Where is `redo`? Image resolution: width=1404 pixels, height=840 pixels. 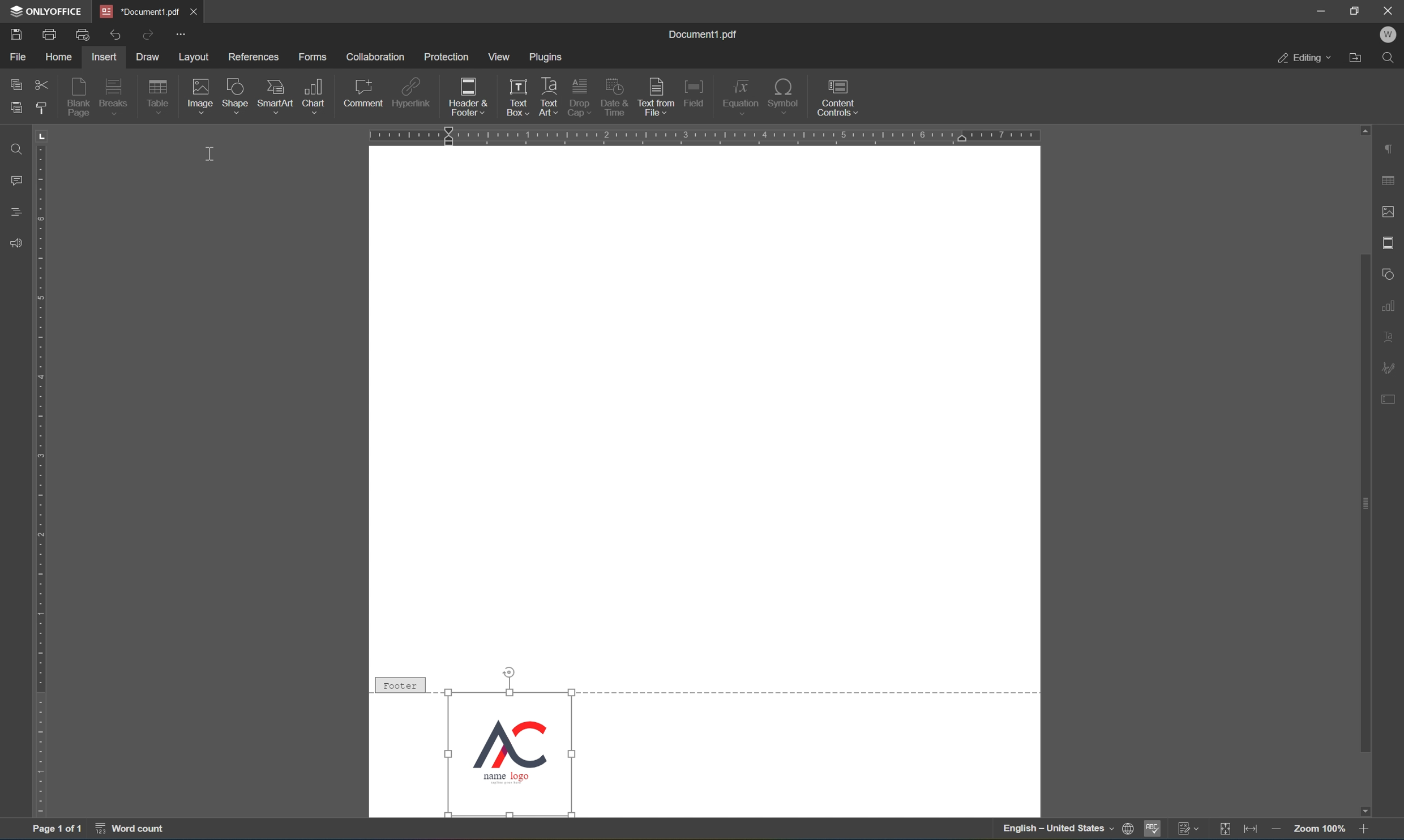
redo is located at coordinates (149, 37).